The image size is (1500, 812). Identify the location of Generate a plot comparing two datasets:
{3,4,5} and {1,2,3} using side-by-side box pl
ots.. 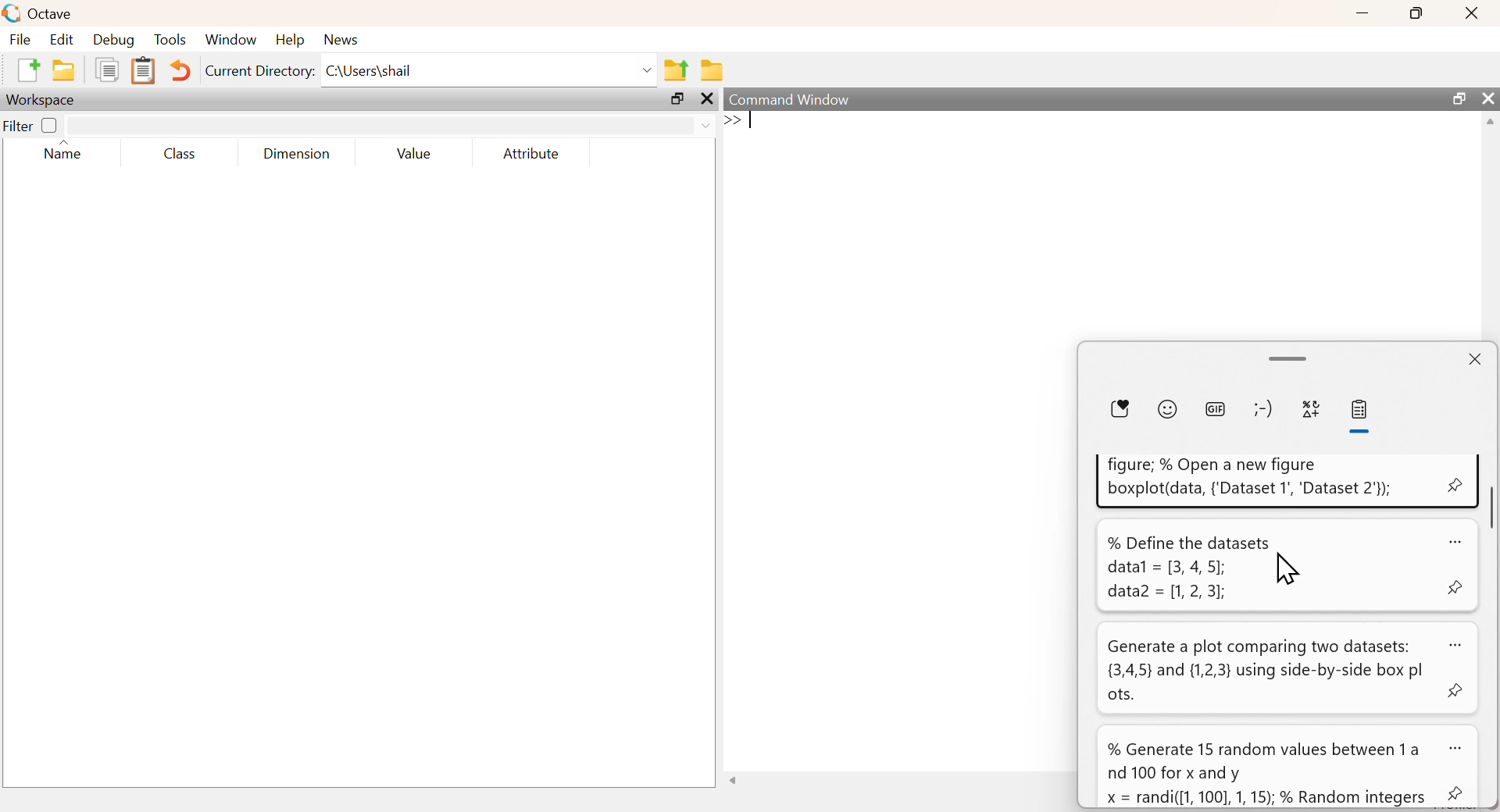
(1268, 671).